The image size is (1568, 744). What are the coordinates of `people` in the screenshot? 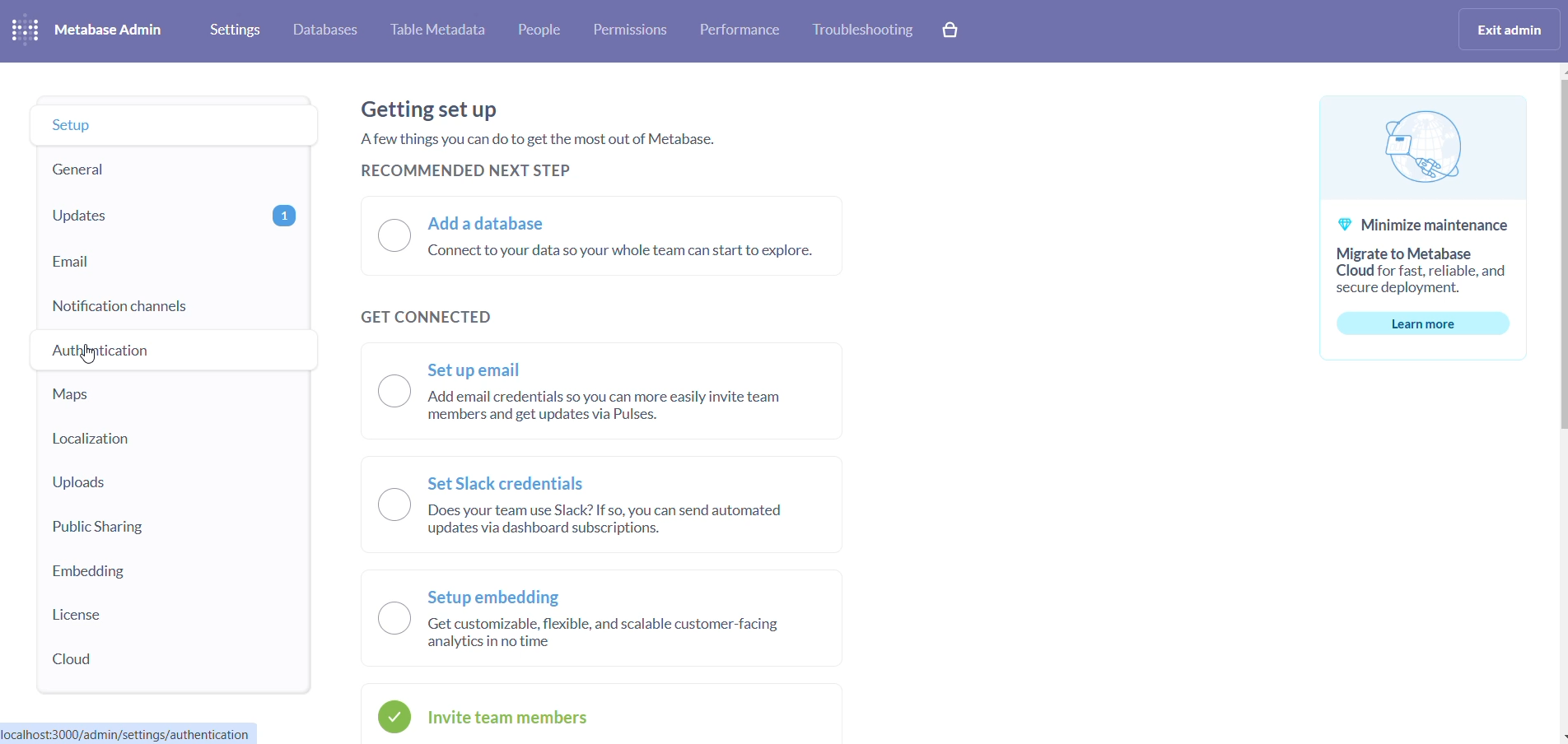 It's located at (544, 31).